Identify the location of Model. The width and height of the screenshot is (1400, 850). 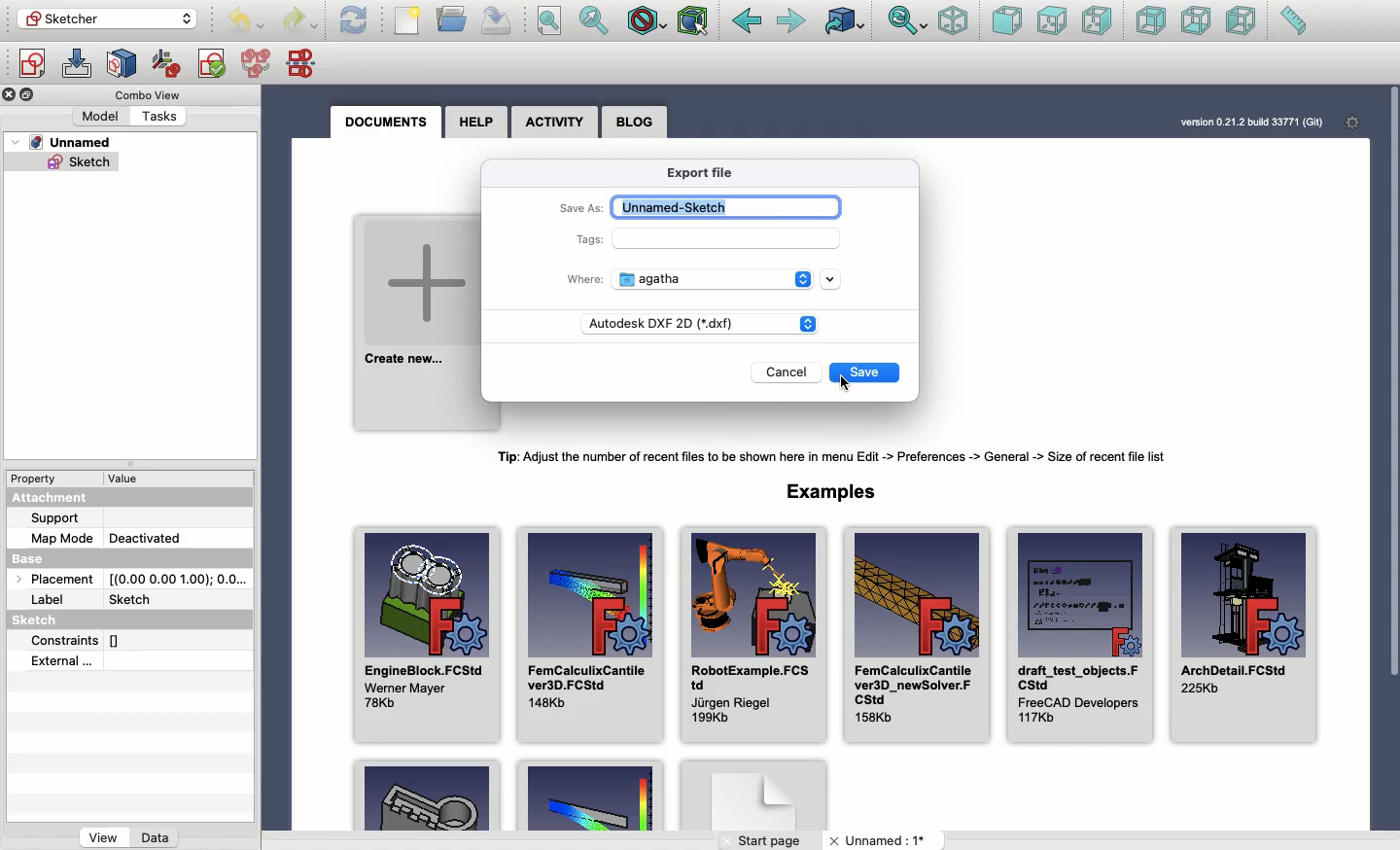
(102, 116).